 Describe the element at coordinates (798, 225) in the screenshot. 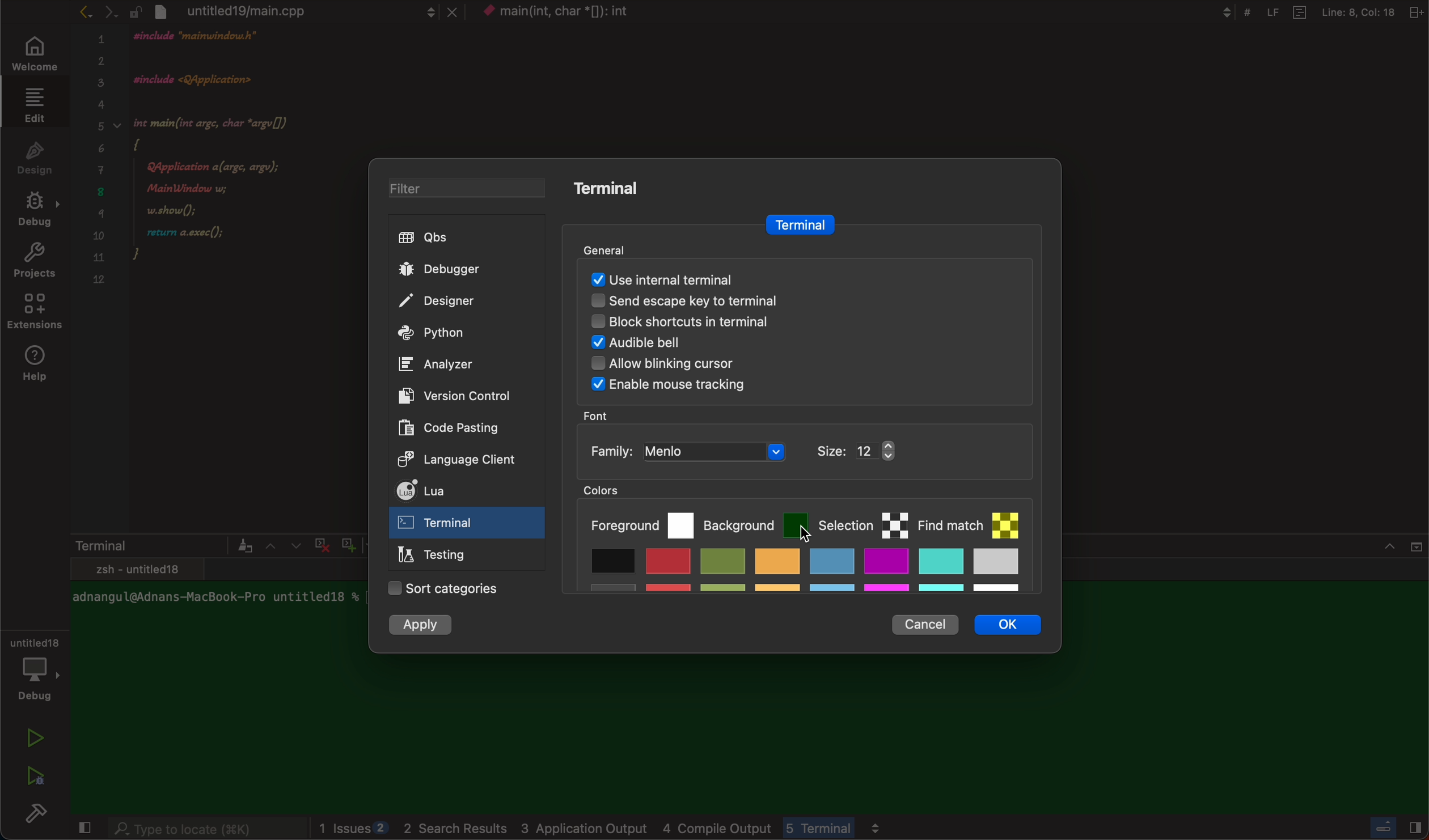

I see `terminal` at that location.